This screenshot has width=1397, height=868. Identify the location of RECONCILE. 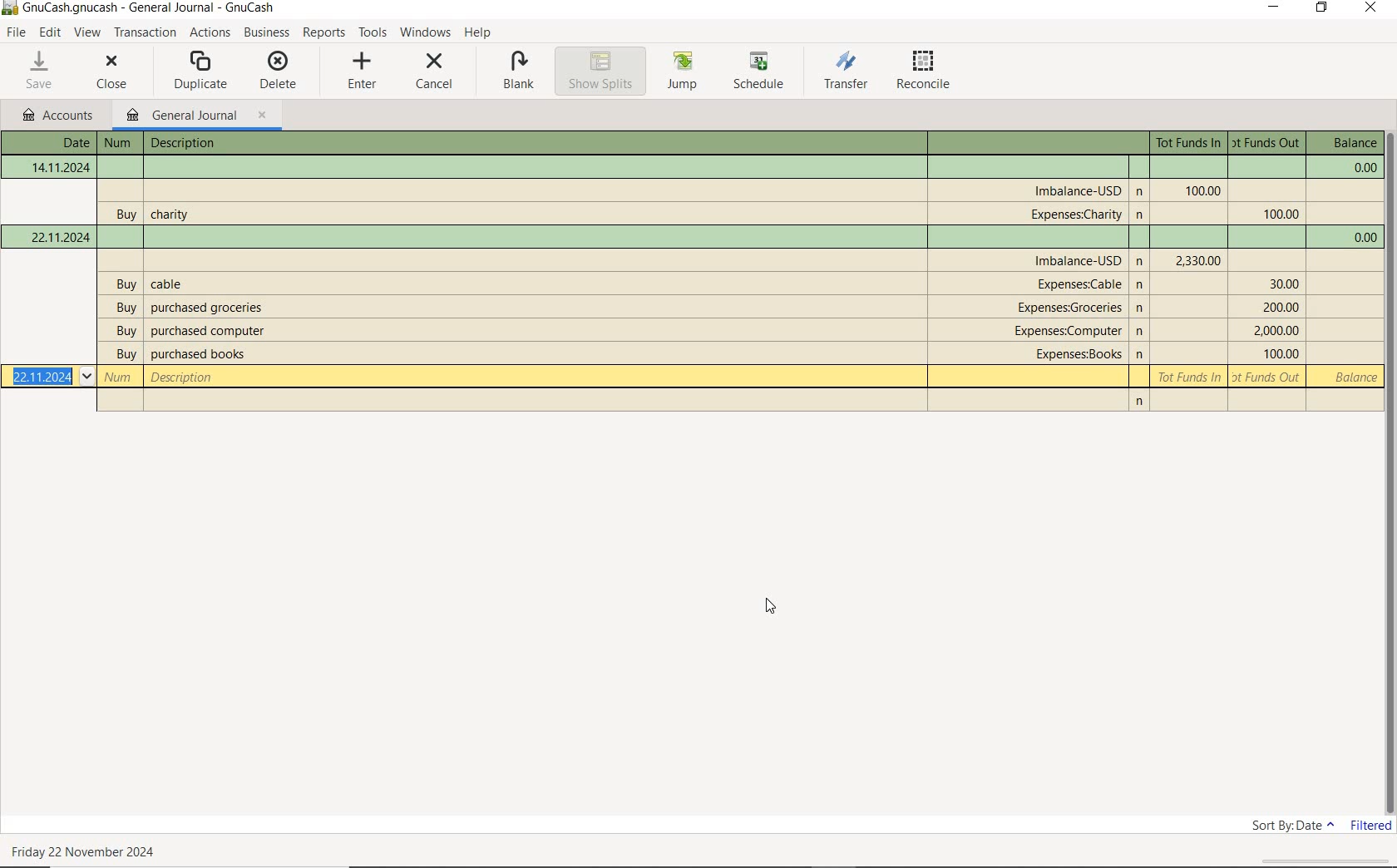
(923, 72).